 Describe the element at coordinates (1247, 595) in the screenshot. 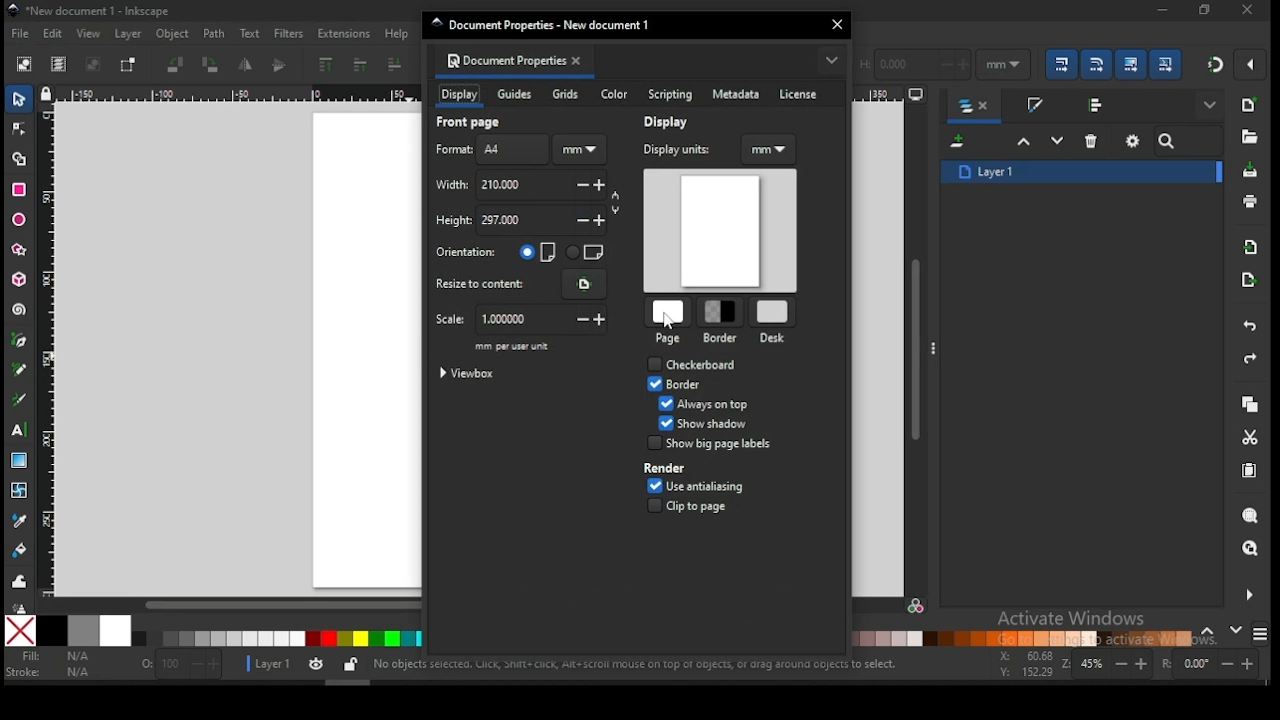

I see `more settings` at that location.